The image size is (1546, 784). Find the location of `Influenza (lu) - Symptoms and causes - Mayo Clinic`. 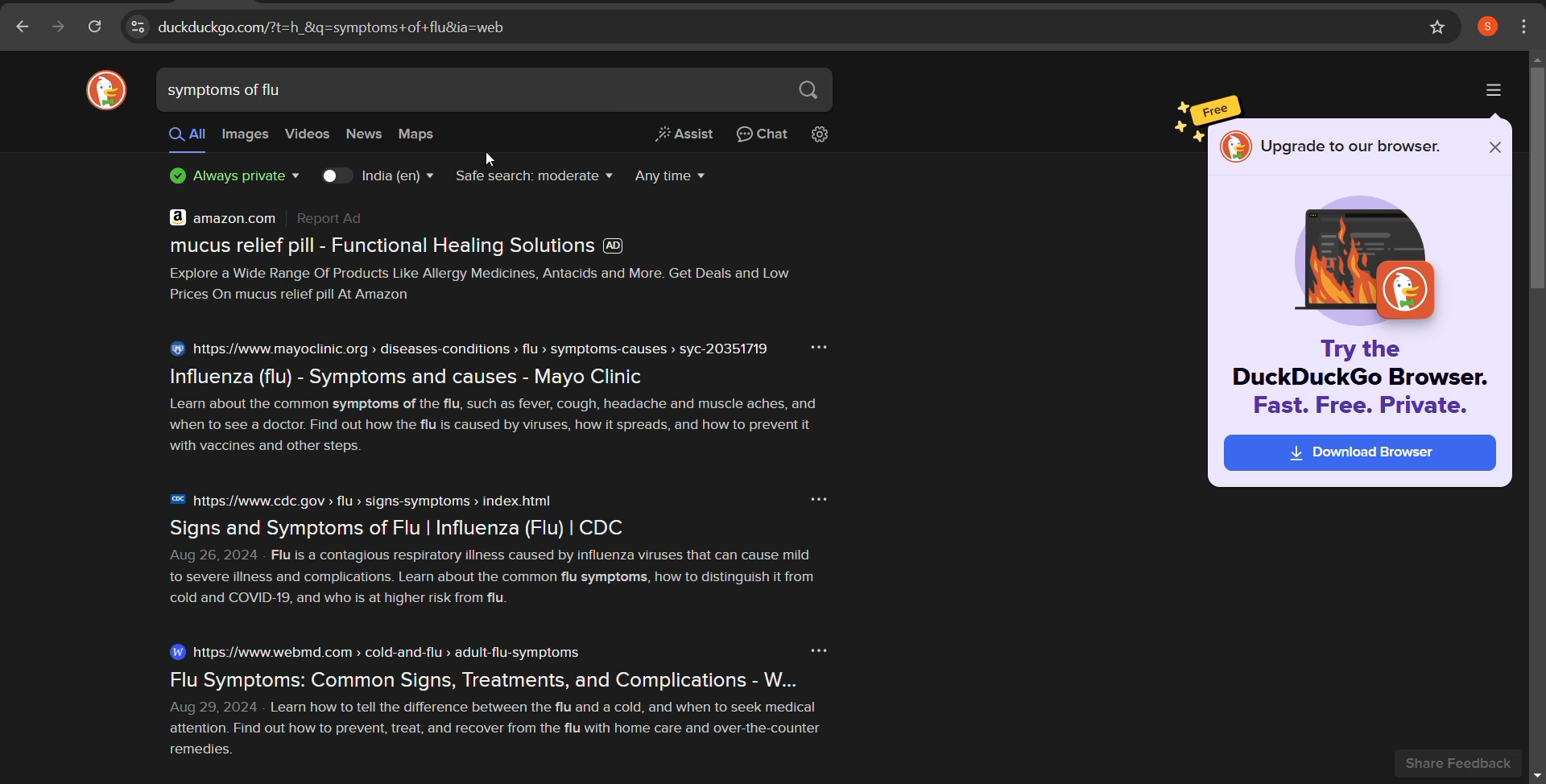

Influenza (lu) - Symptoms and causes - Mayo Clinic is located at coordinates (410, 376).